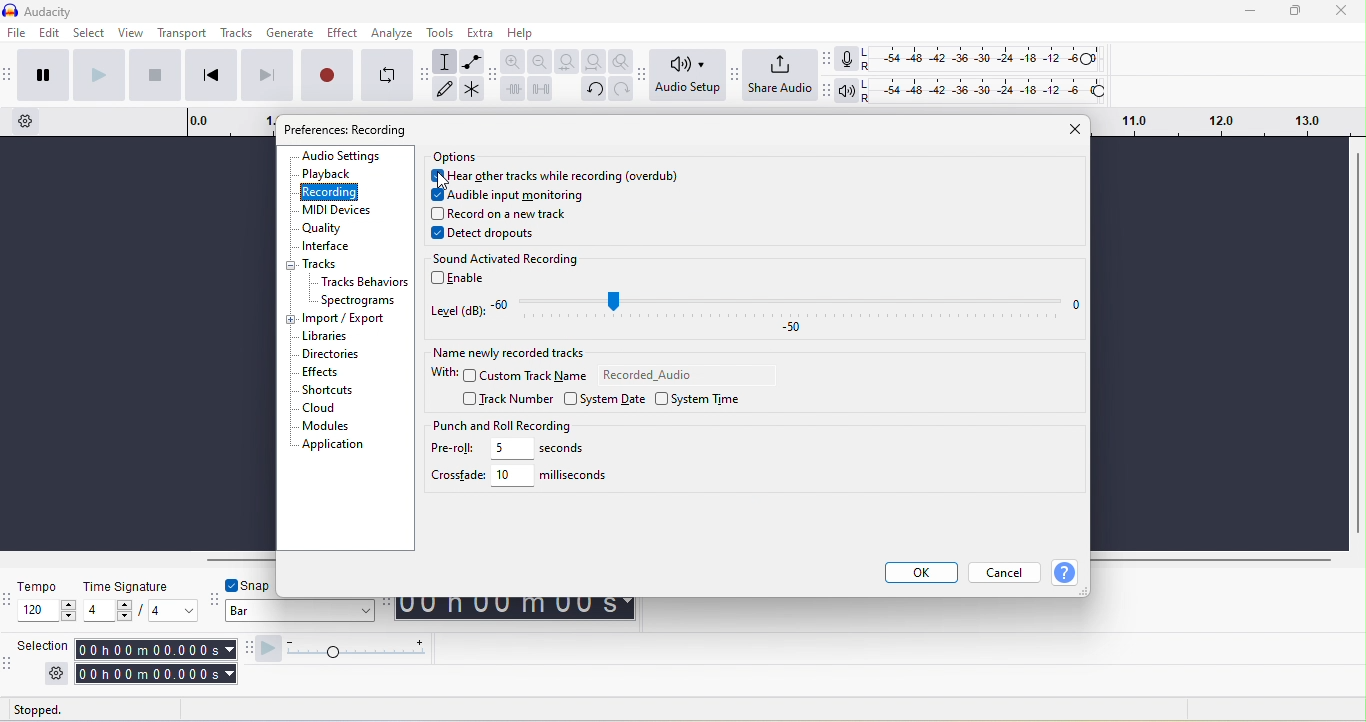 This screenshot has height=722, width=1366. I want to click on detect dropouts, so click(485, 234).